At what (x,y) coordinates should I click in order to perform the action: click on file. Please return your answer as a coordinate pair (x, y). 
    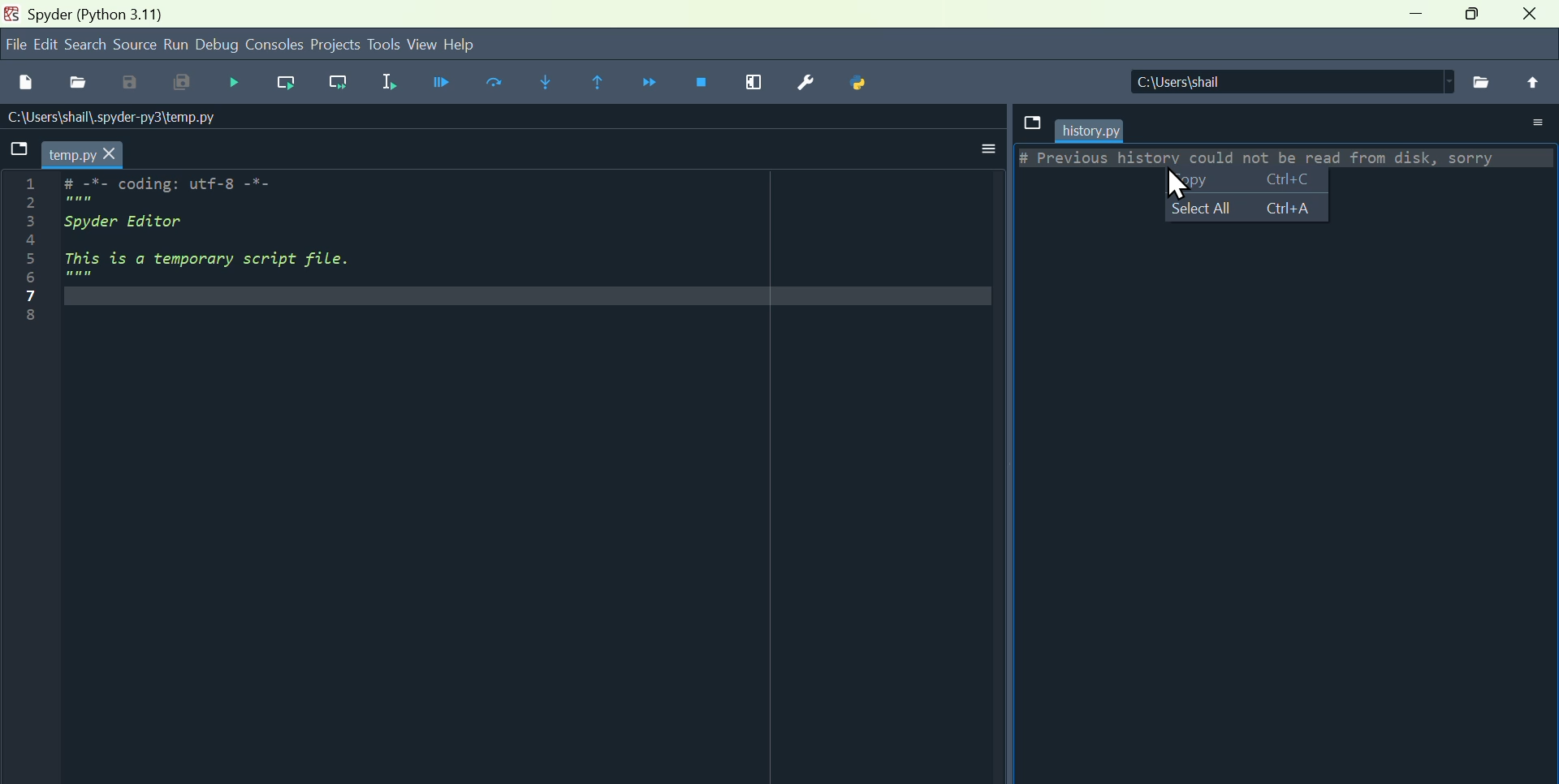
    Looking at the image, I should click on (16, 43).